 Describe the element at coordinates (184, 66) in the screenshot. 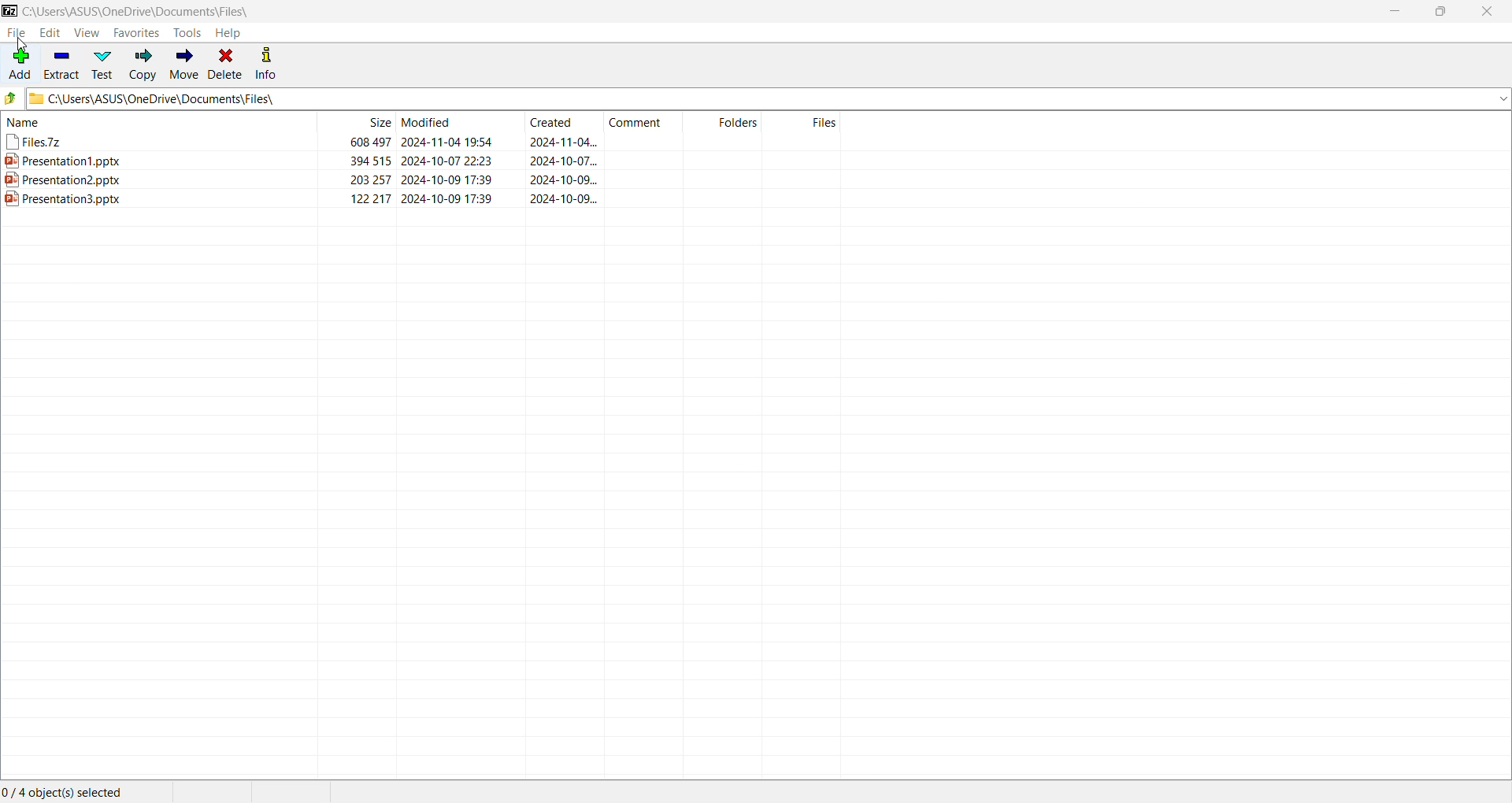

I see `Move` at that location.